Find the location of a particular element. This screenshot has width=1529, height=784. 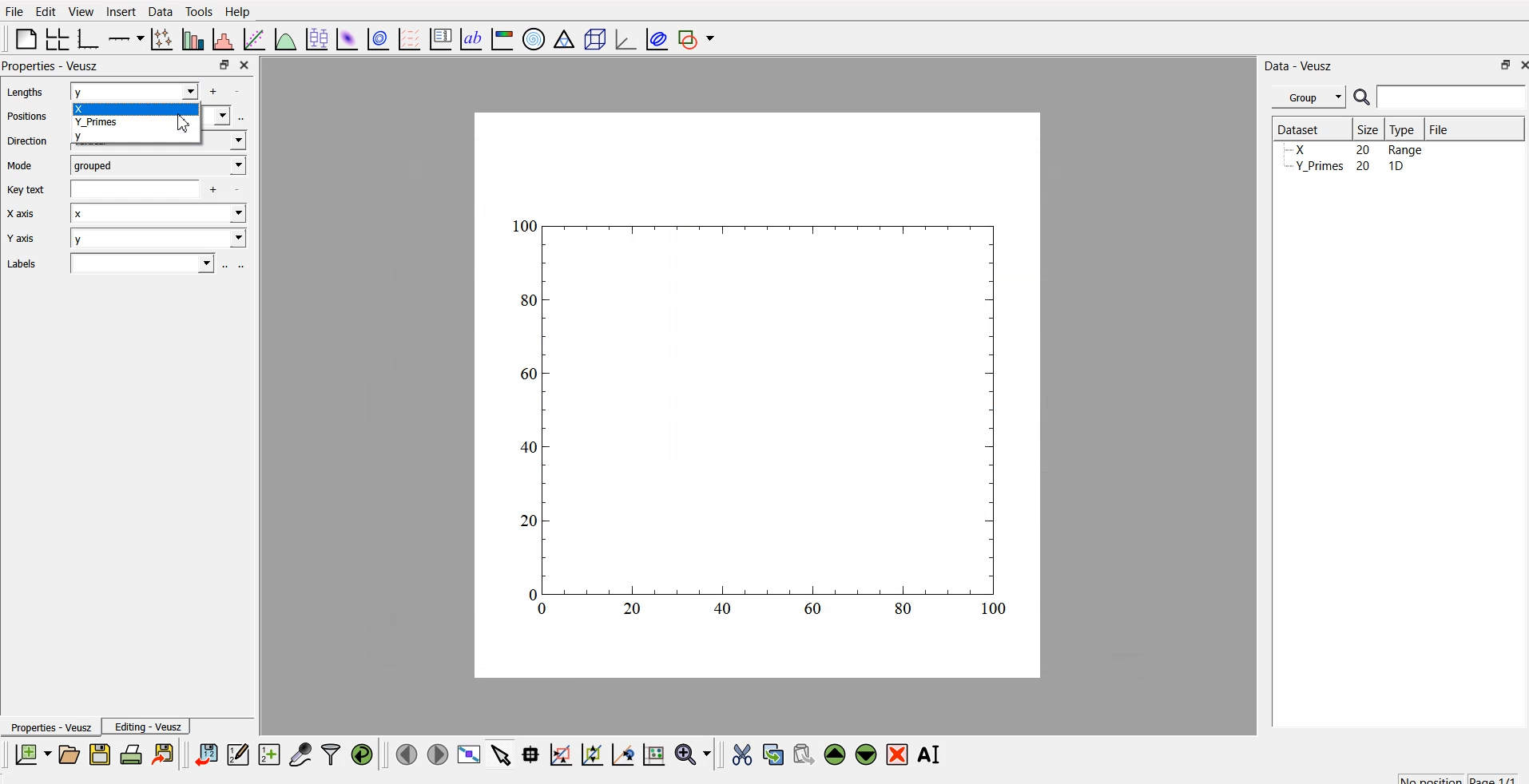

View is located at coordinates (82, 11).